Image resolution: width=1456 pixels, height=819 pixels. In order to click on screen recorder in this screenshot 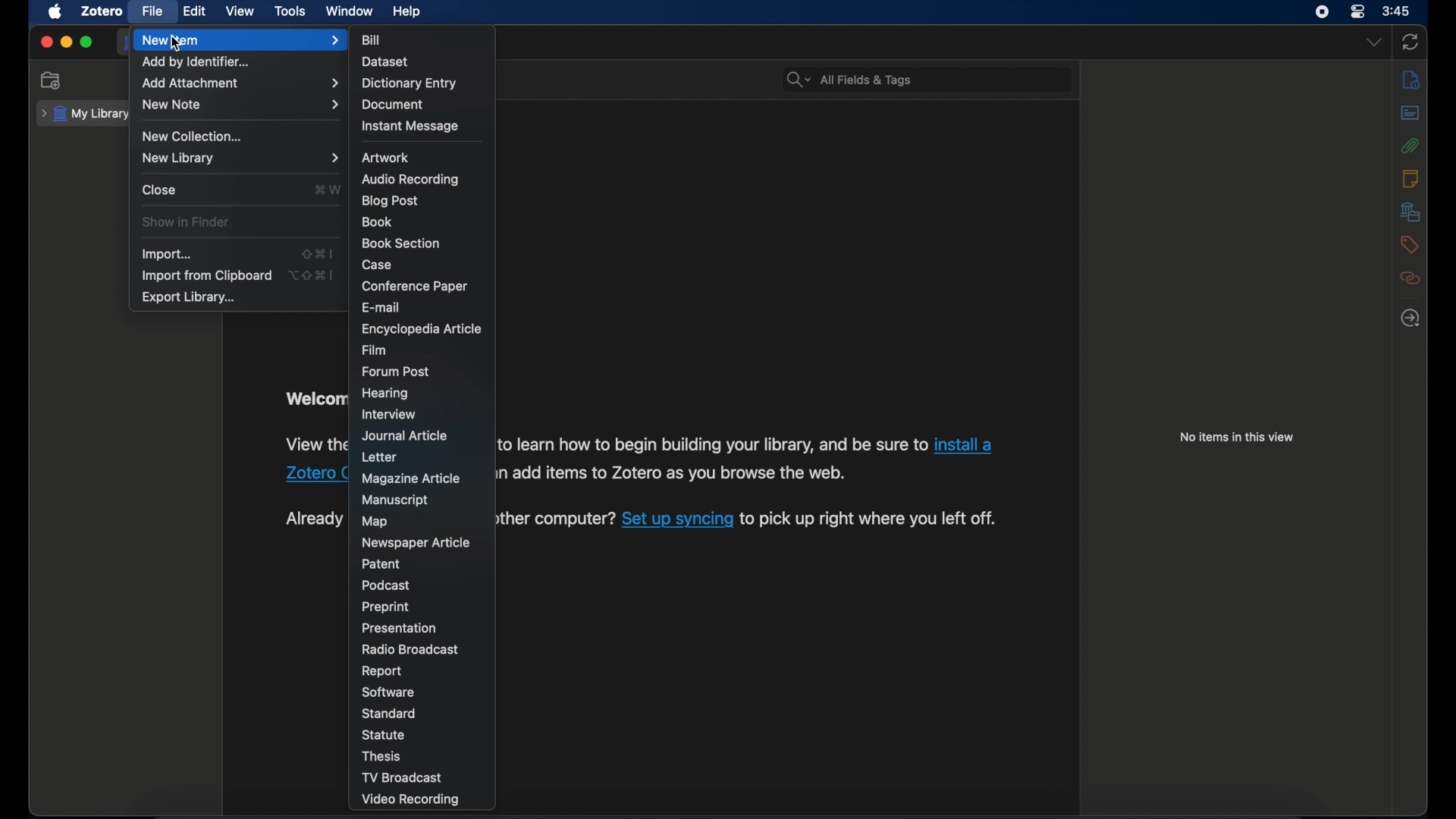, I will do `click(1321, 12)`.